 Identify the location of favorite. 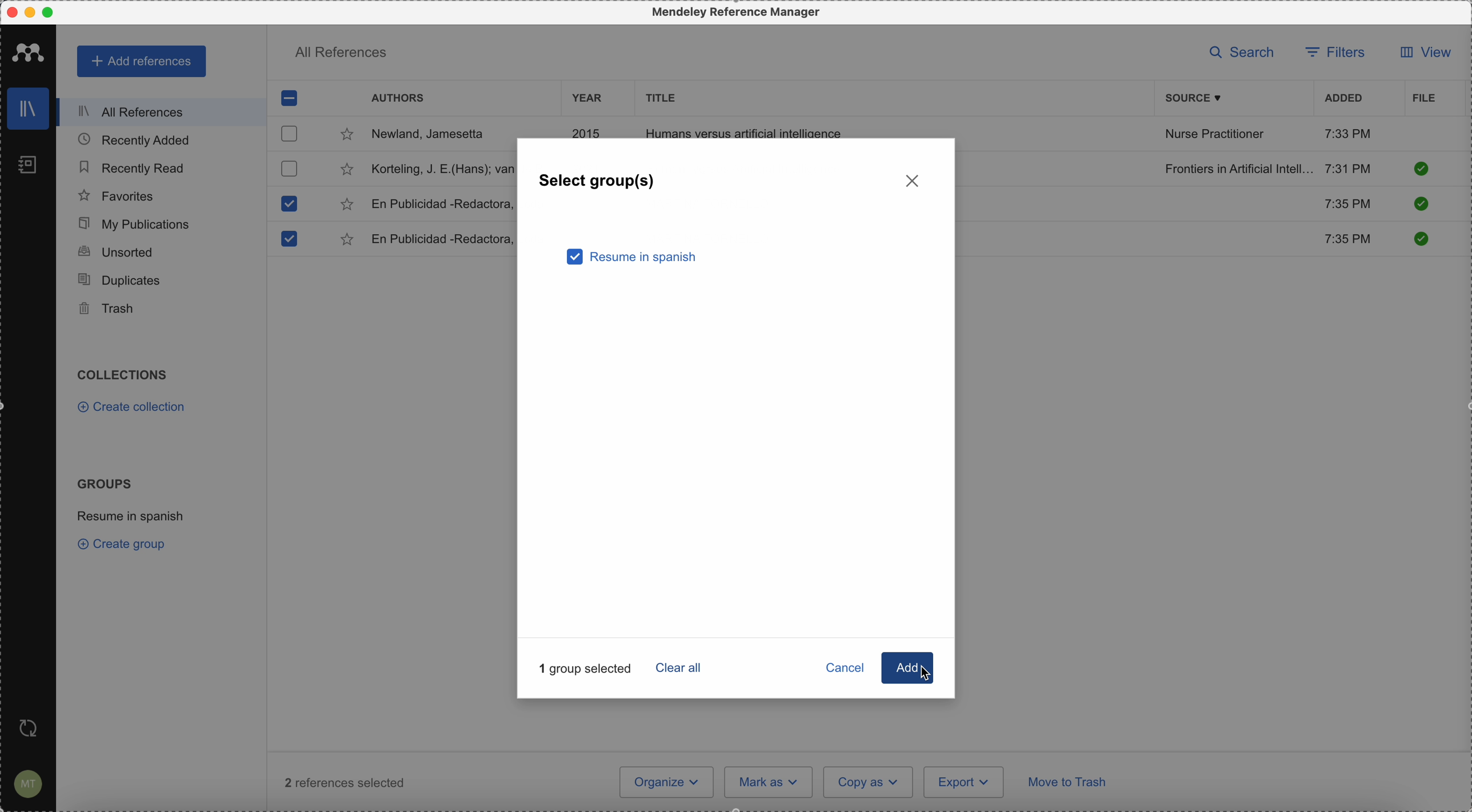
(347, 137).